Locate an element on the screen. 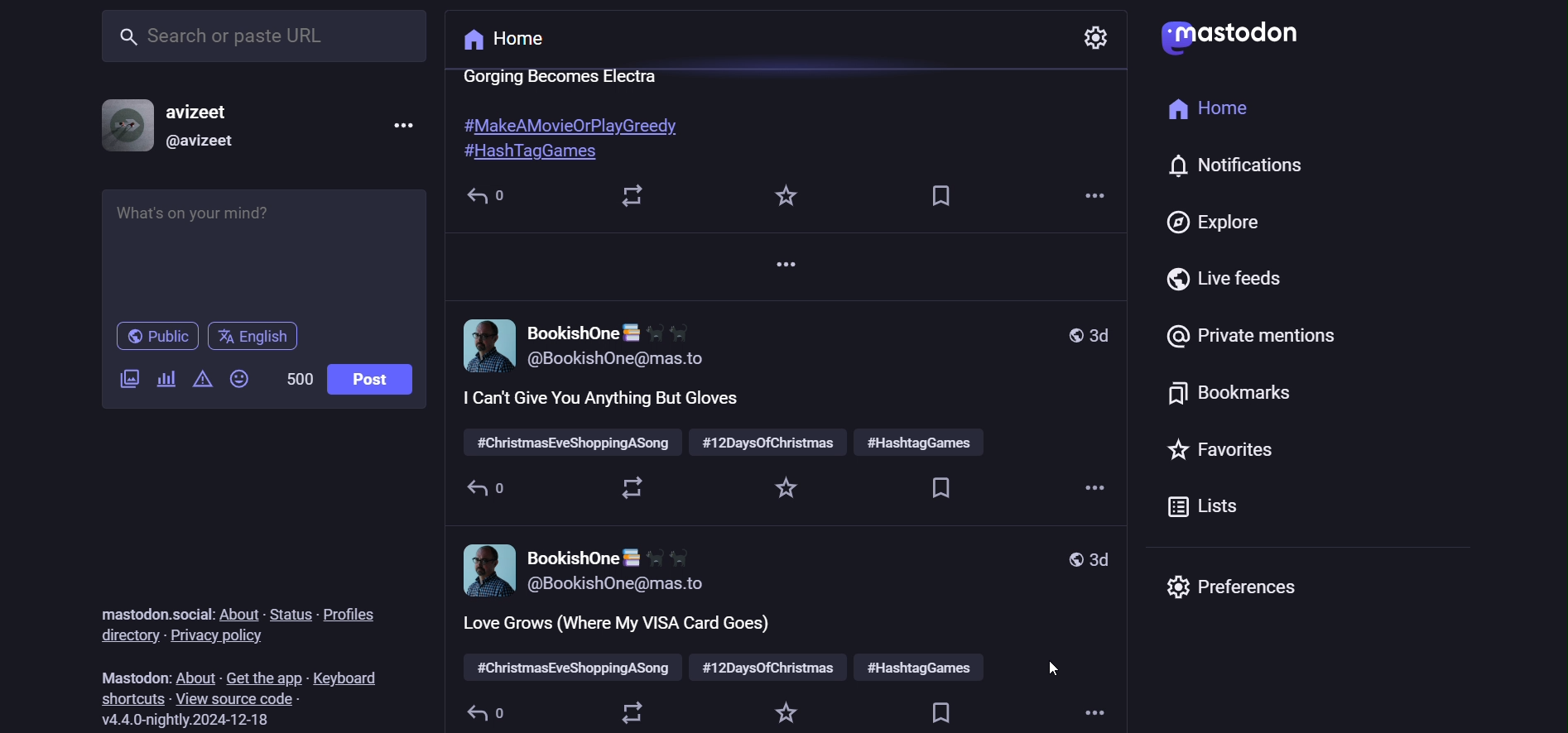 The width and height of the screenshot is (1568, 733). reply is located at coordinates (483, 491).